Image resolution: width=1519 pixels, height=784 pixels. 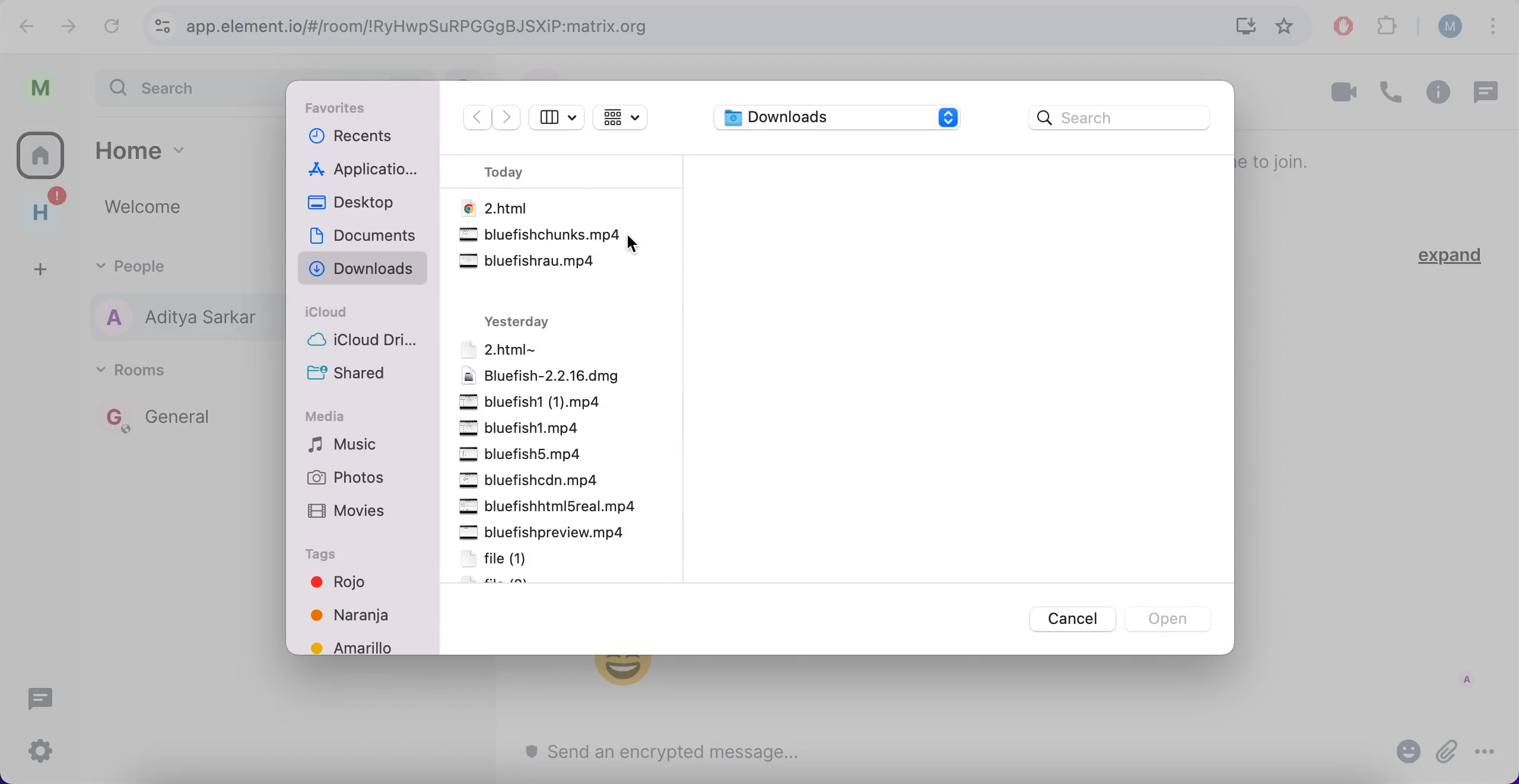 I want to click on favorites, so click(x=343, y=106).